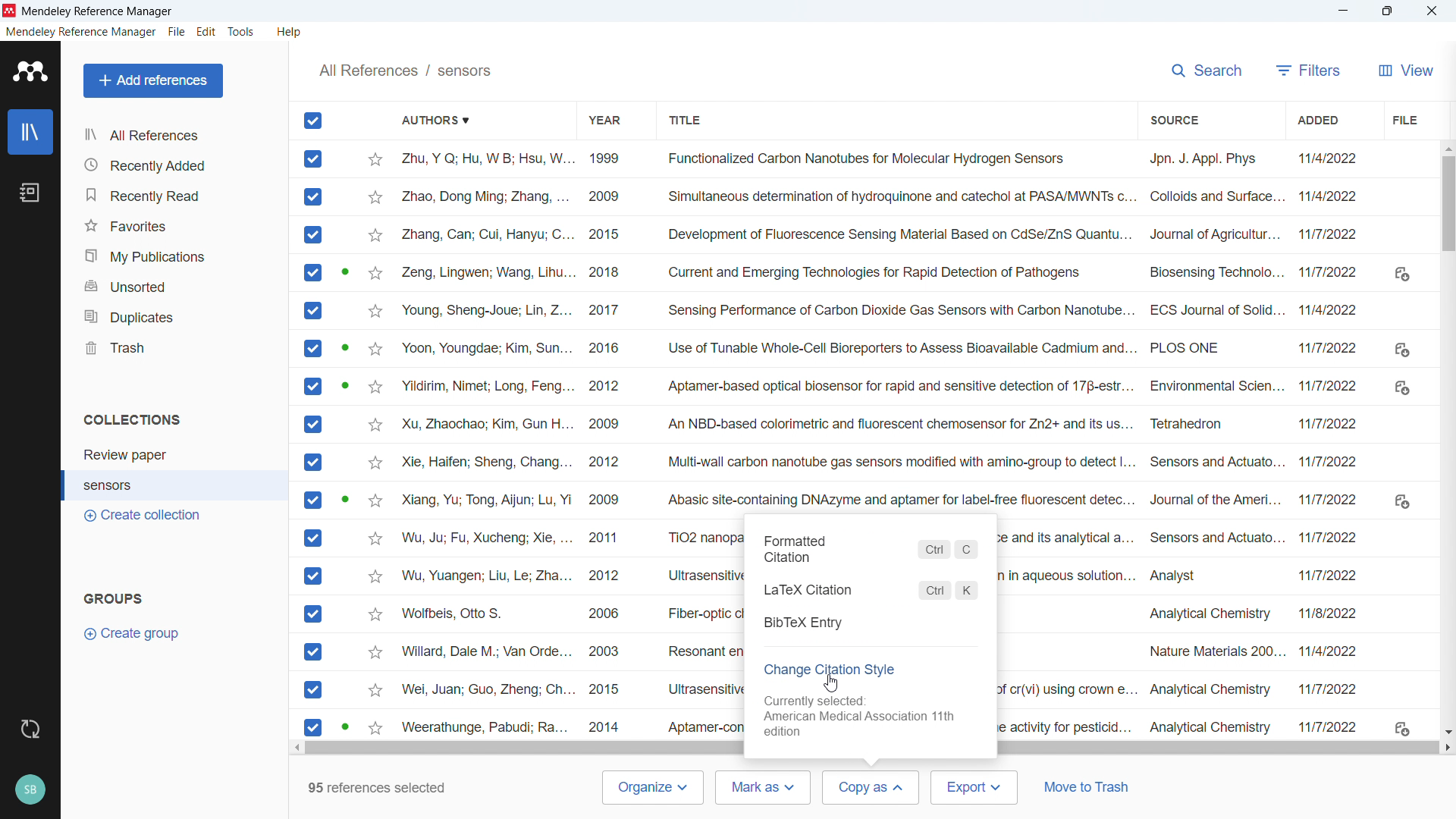 The width and height of the screenshot is (1456, 819). I want to click on Current citation style , so click(866, 715).